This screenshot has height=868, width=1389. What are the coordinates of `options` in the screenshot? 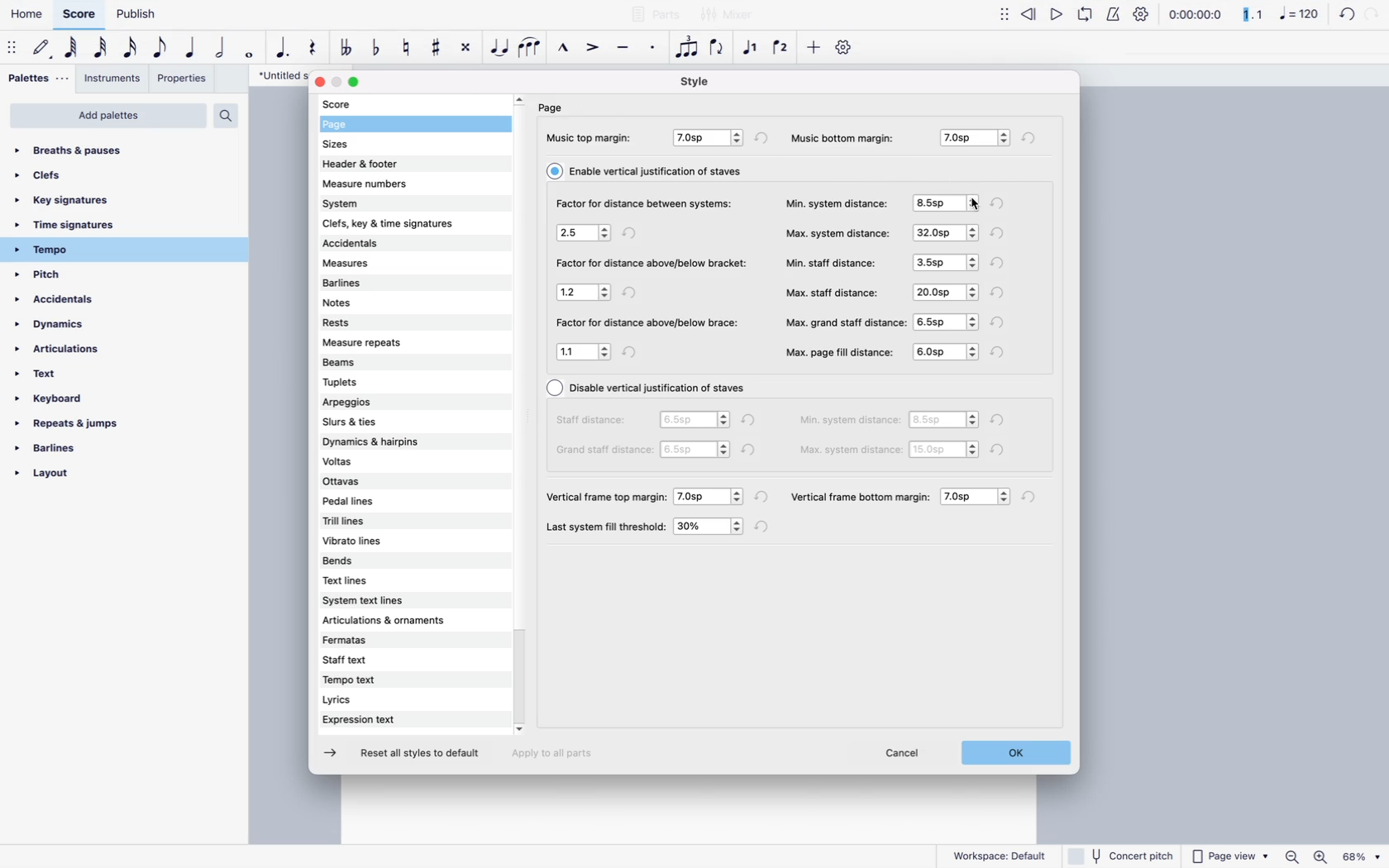 It's located at (943, 232).